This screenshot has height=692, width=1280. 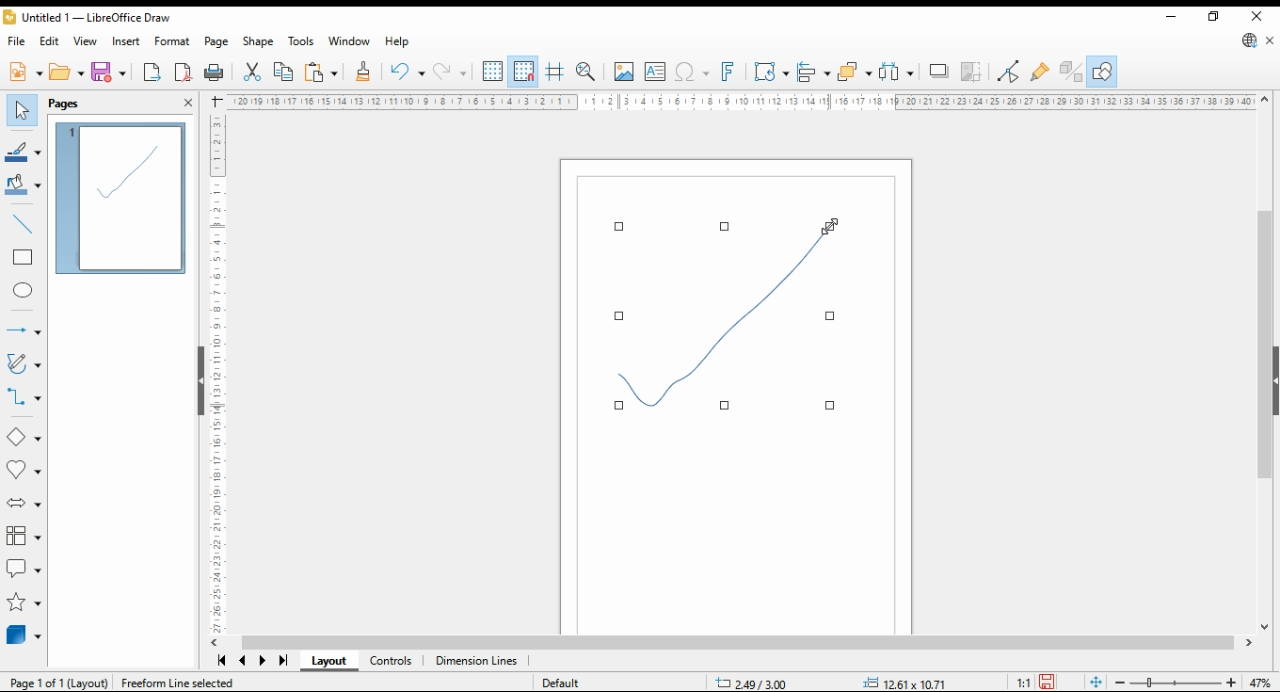 I want to click on 1:1, so click(x=1018, y=684).